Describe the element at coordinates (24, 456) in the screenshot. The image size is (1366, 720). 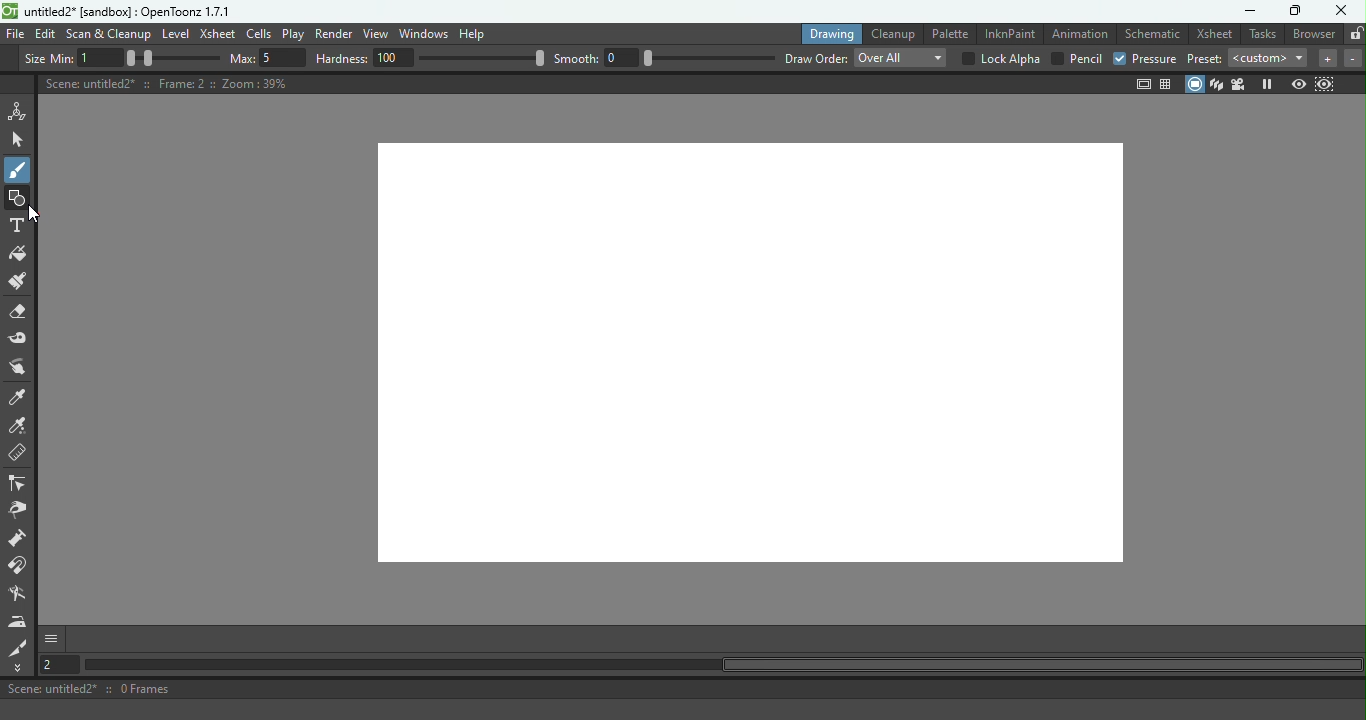
I see `Ruler` at that location.